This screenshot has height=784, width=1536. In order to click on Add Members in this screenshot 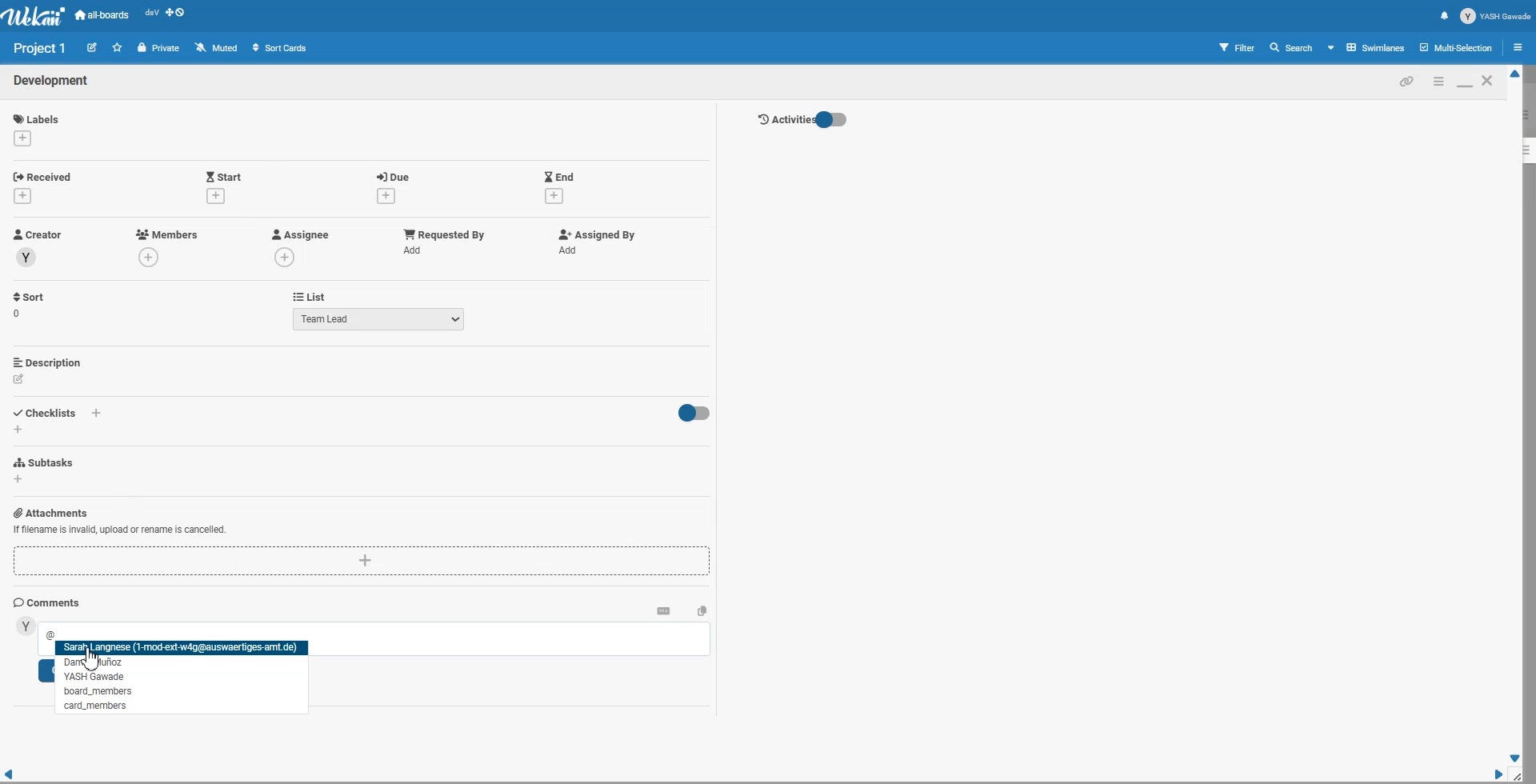, I will do `click(168, 234)`.